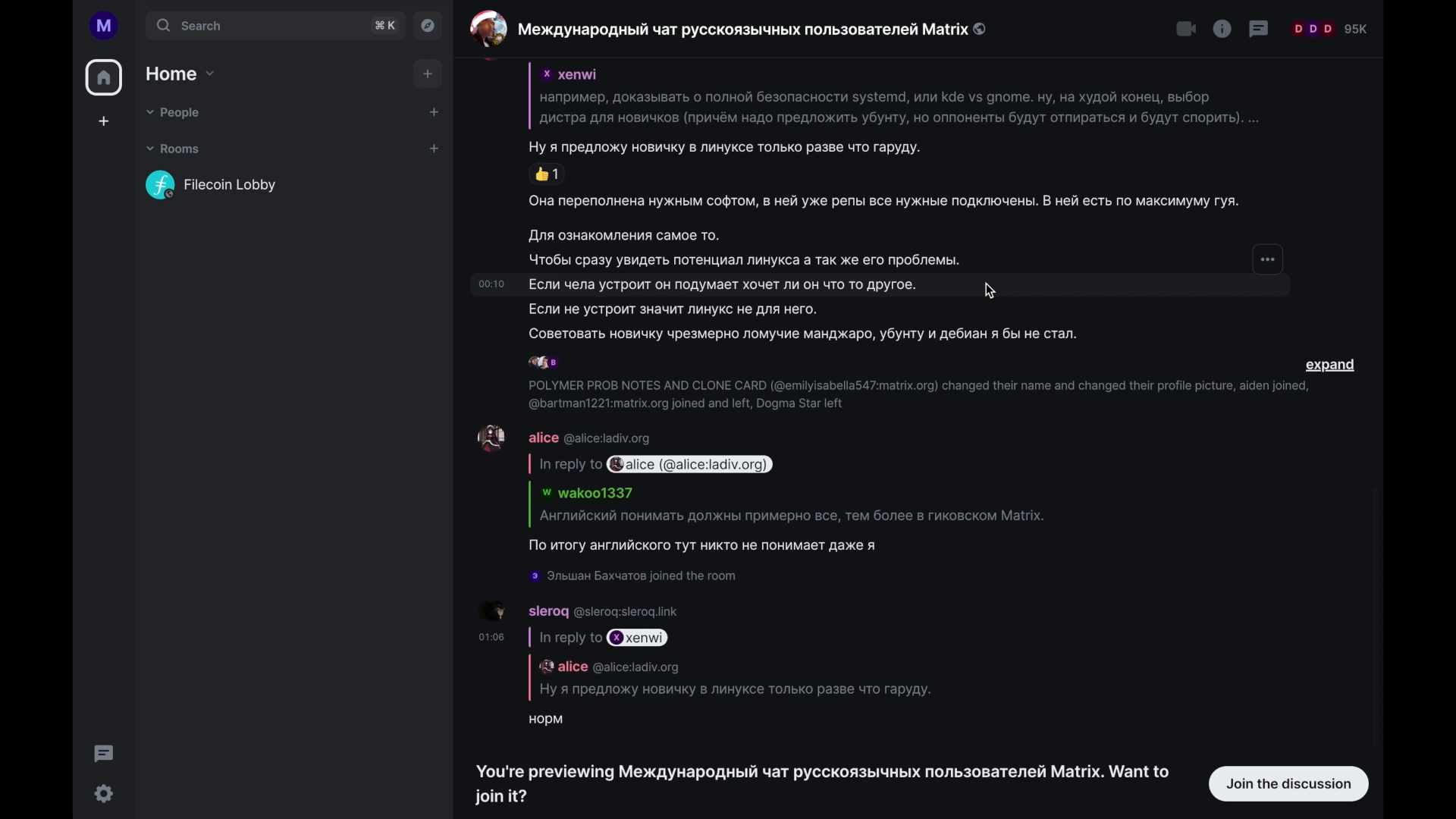 This screenshot has width=1456, height=819. I want to click on alice @alice:ladiv.org, so click(590, 435).